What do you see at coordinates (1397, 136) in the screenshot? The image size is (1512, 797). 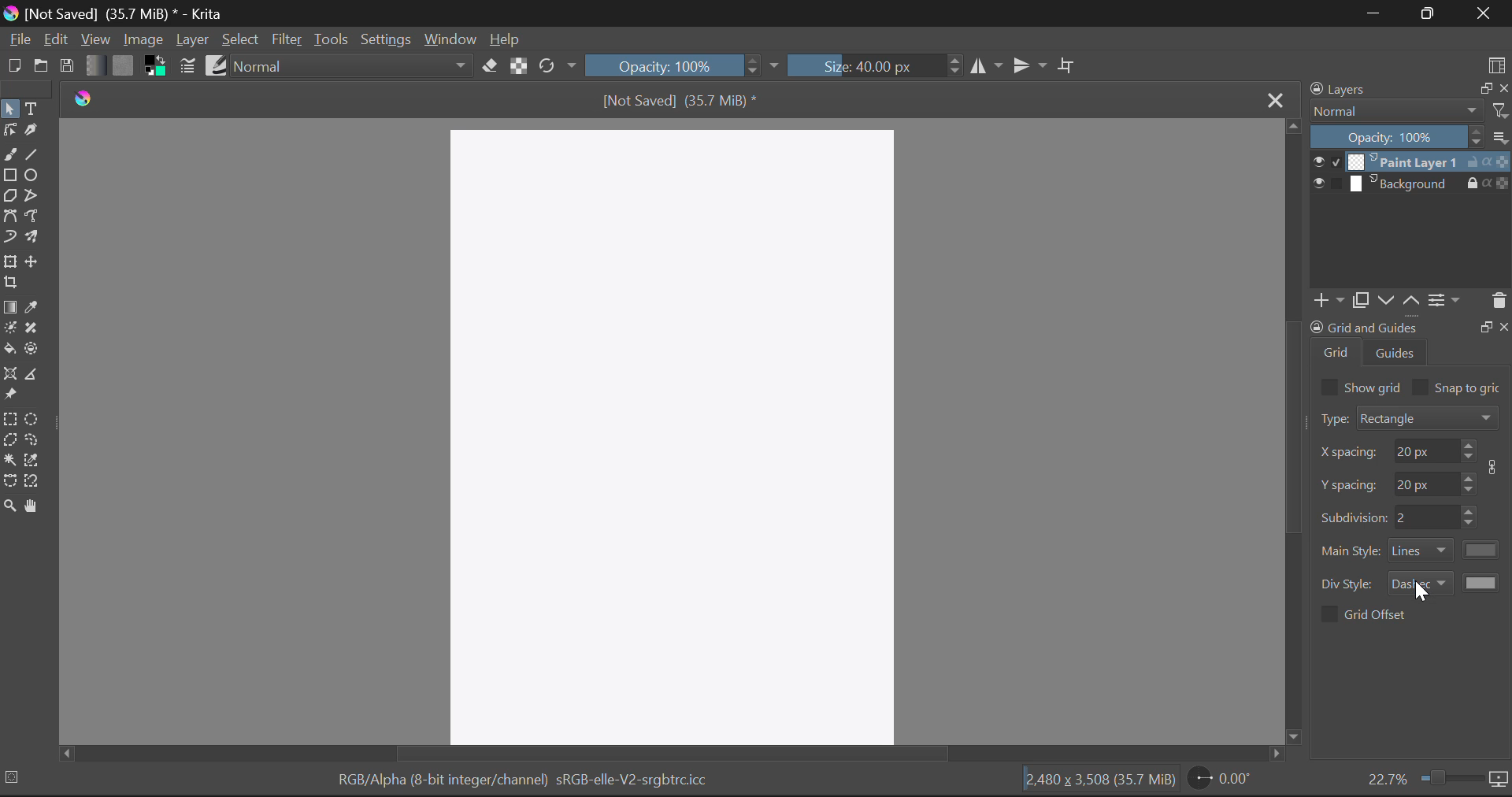 I see `opacity` at bounding box center [1397, 136].